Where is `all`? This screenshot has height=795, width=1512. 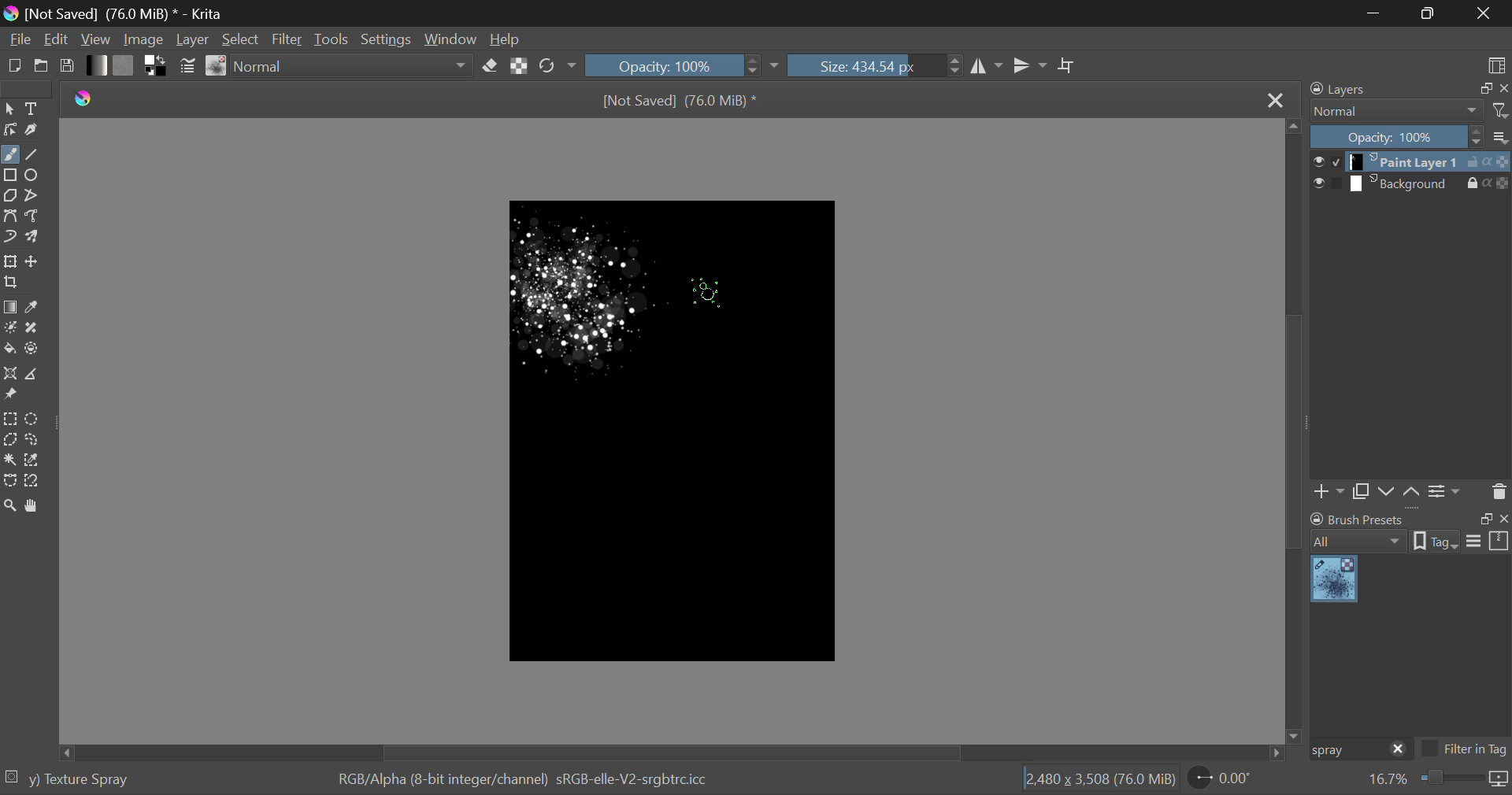
all is located at coordinates (1360, 542).